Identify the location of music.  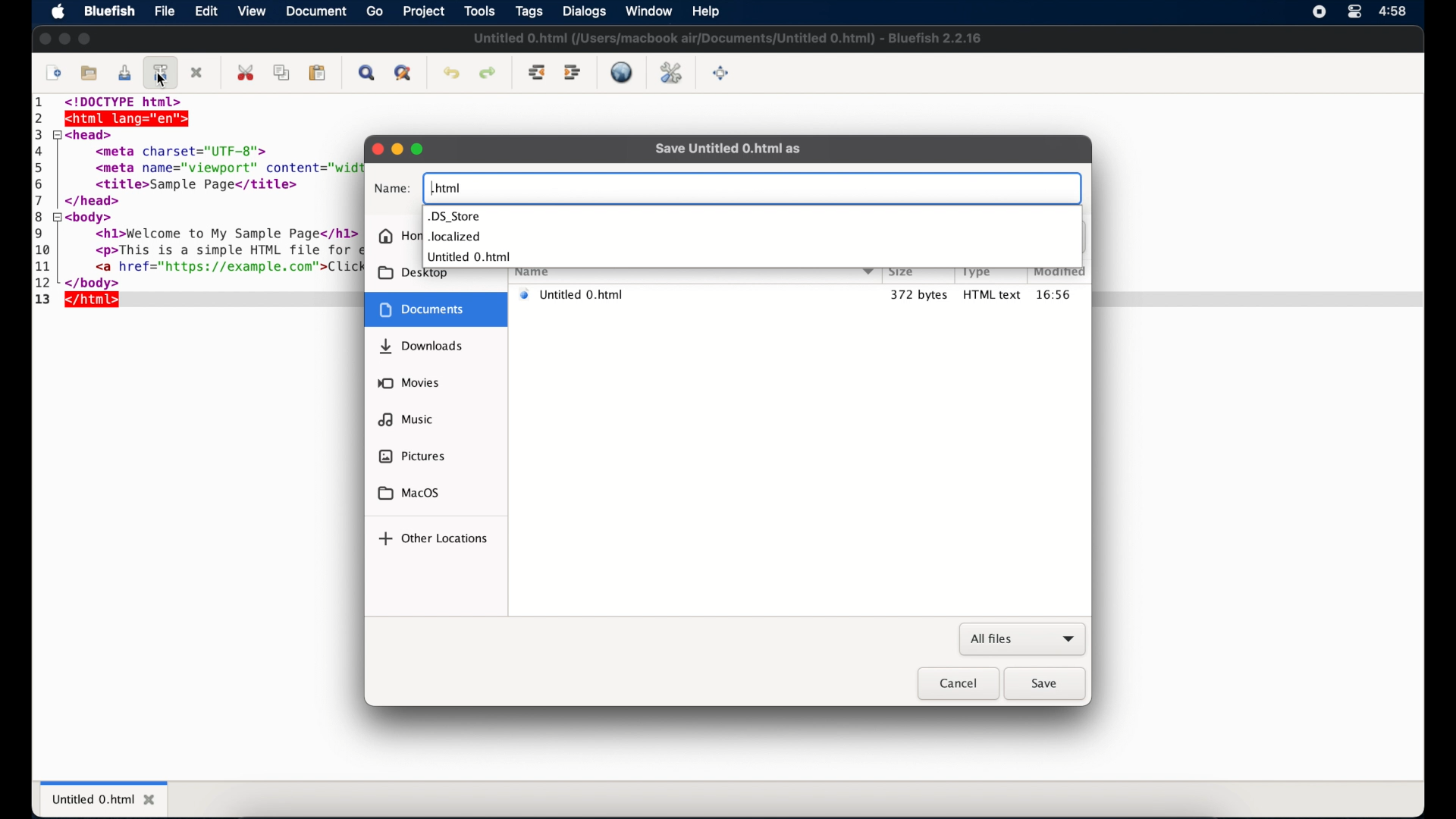
(406, 419).